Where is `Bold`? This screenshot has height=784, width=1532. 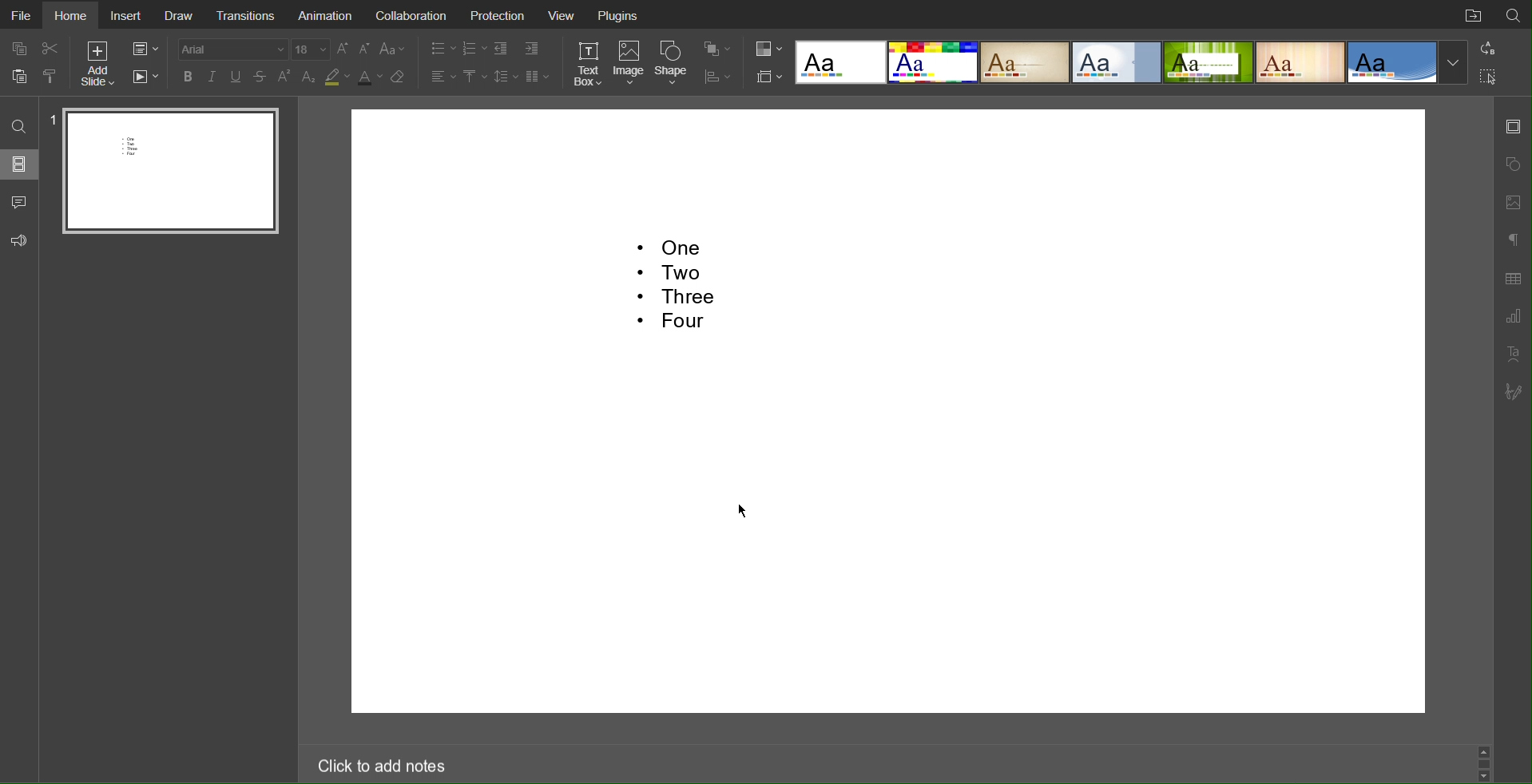
Bold is located at coordinates (189, 76).